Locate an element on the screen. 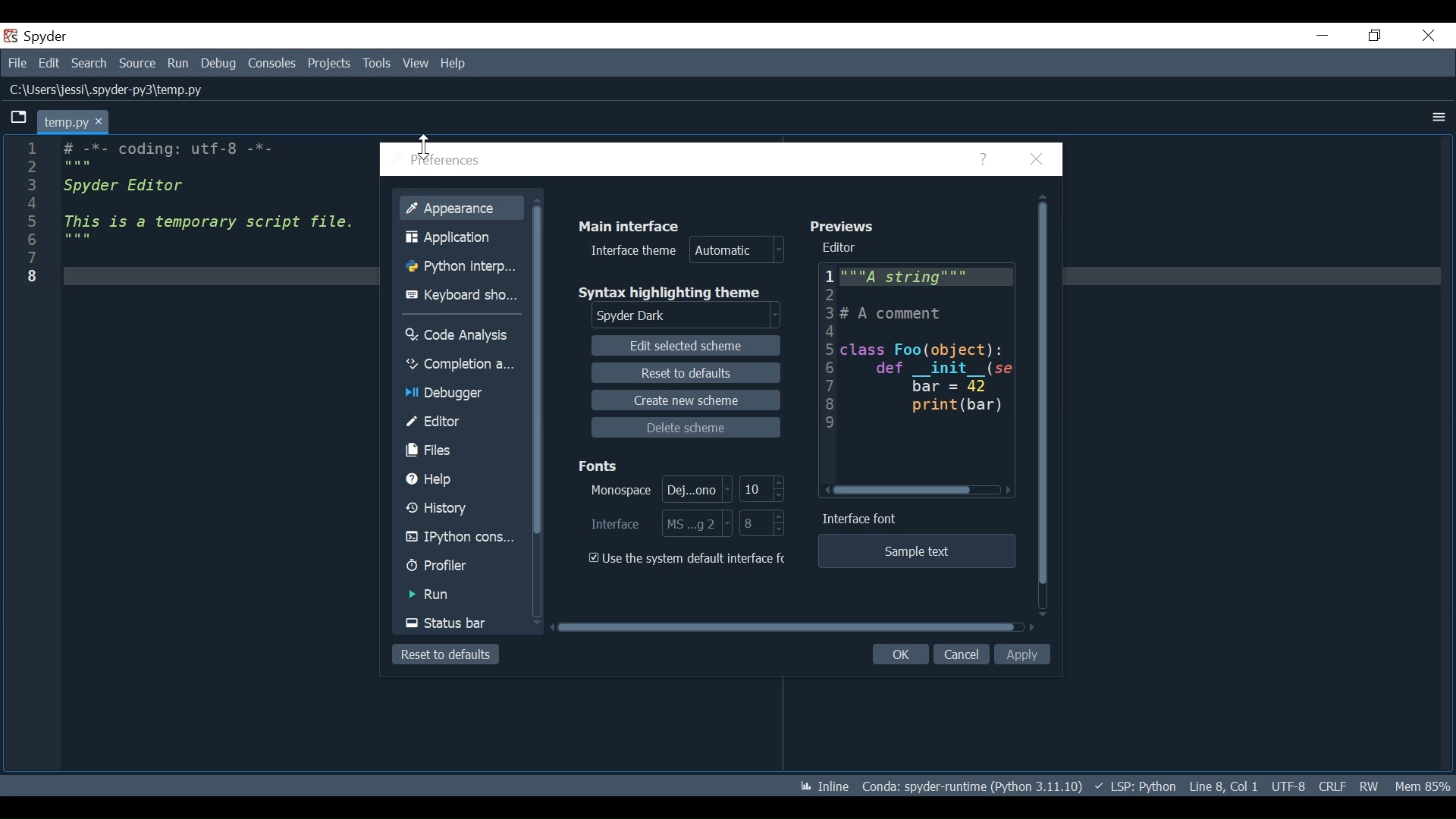  OK is located at coordinates (902, 654).